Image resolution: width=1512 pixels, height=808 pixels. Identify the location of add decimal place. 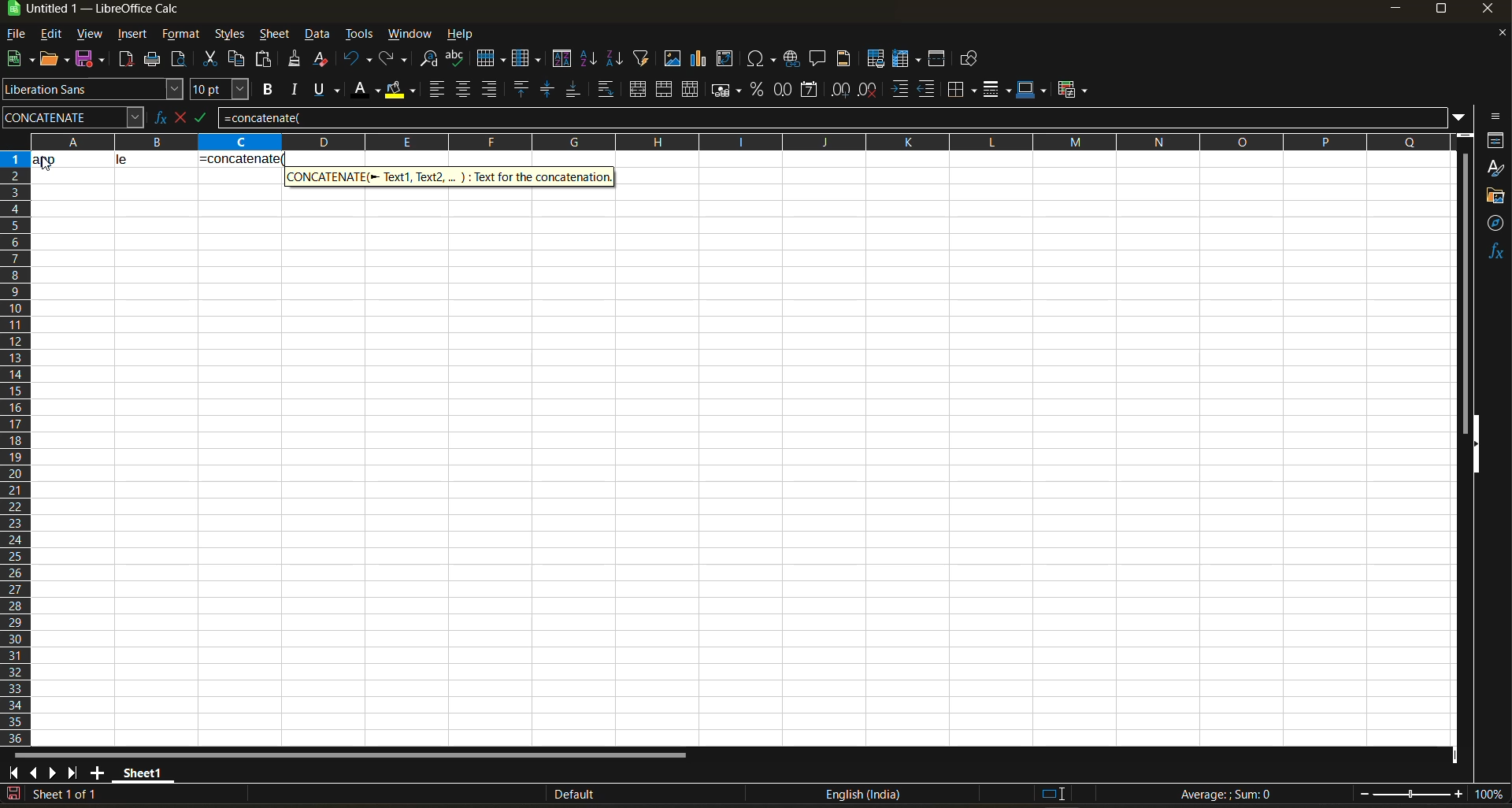
(840, 91).